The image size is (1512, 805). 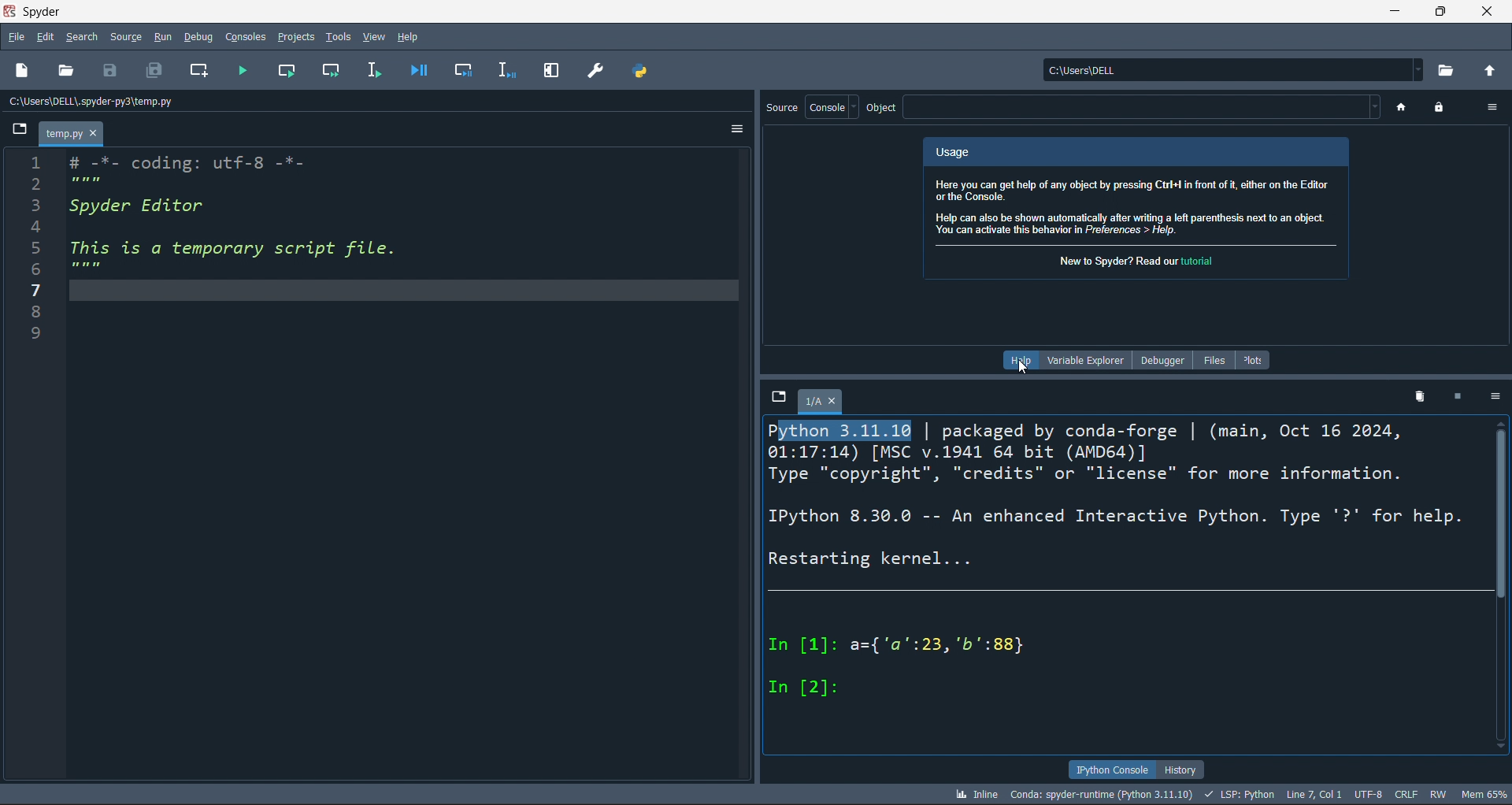 I want to click on search, so click(x=80, y=35).